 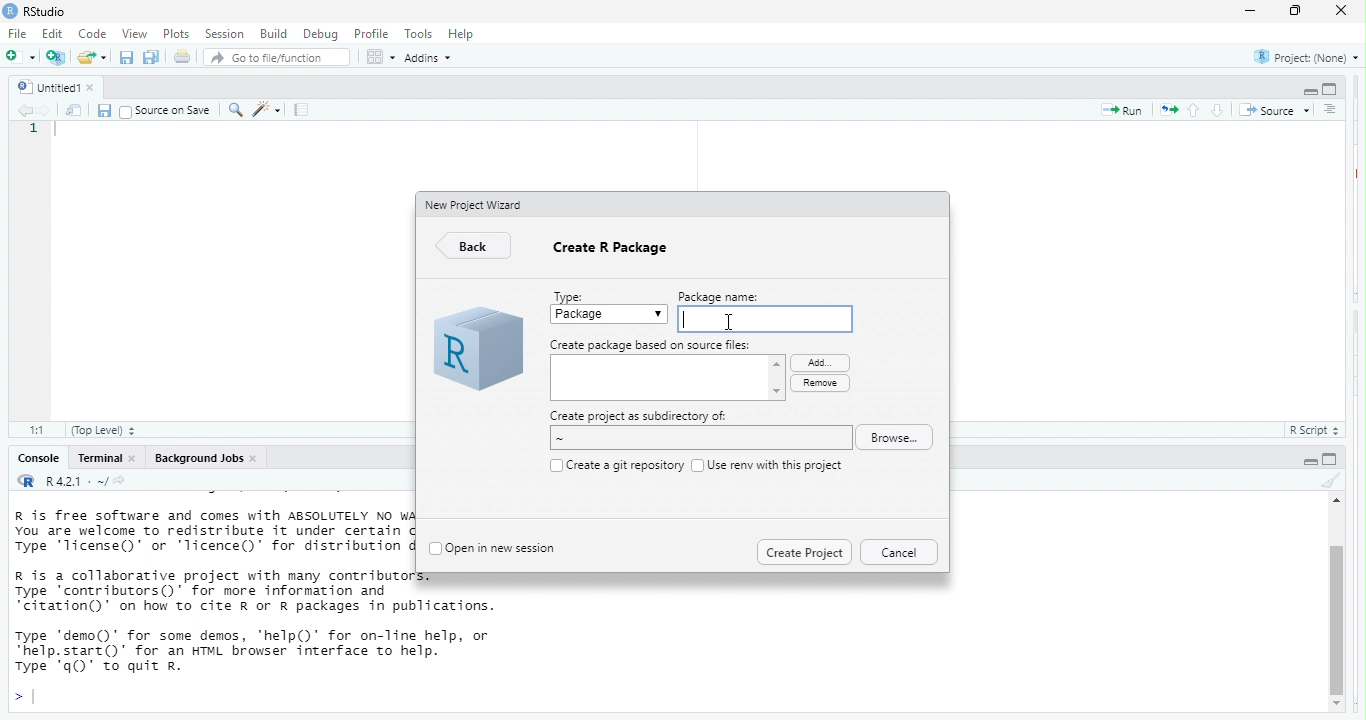 I want to click on show in new window, so click(x=72, y=111).